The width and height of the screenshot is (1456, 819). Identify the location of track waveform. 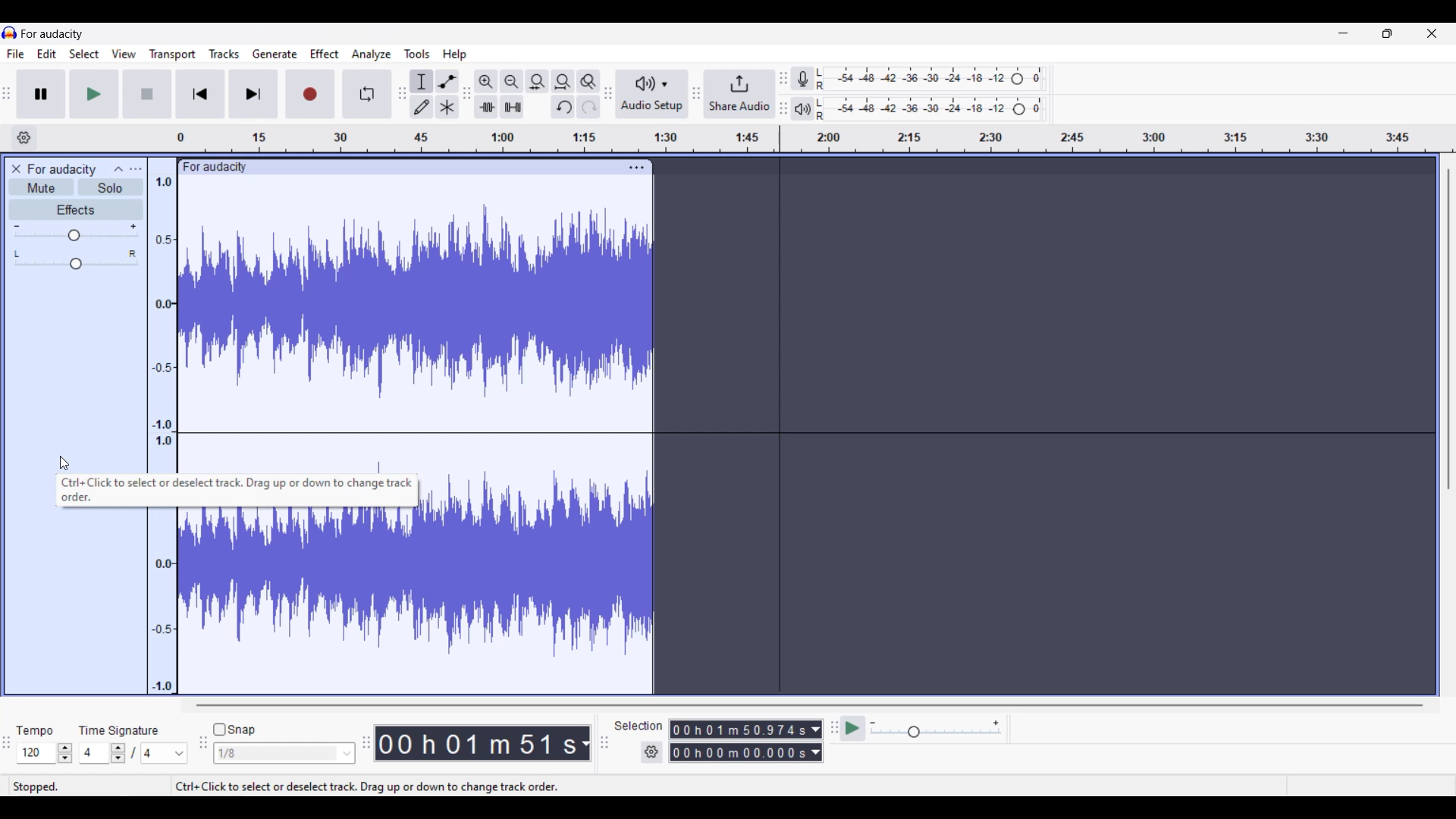
(299, 599).